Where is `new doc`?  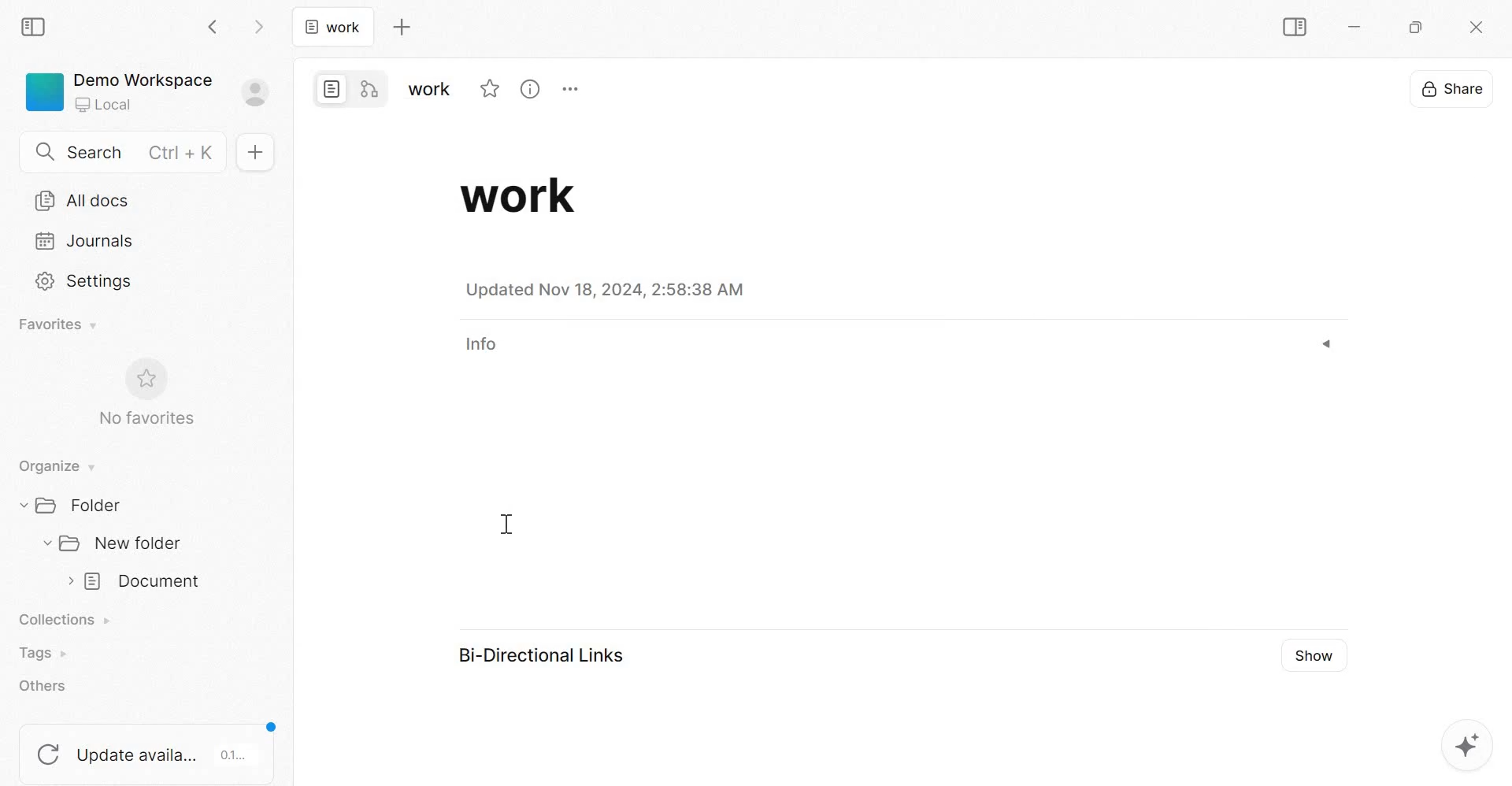 new doc is located at coordinates (254, 151).